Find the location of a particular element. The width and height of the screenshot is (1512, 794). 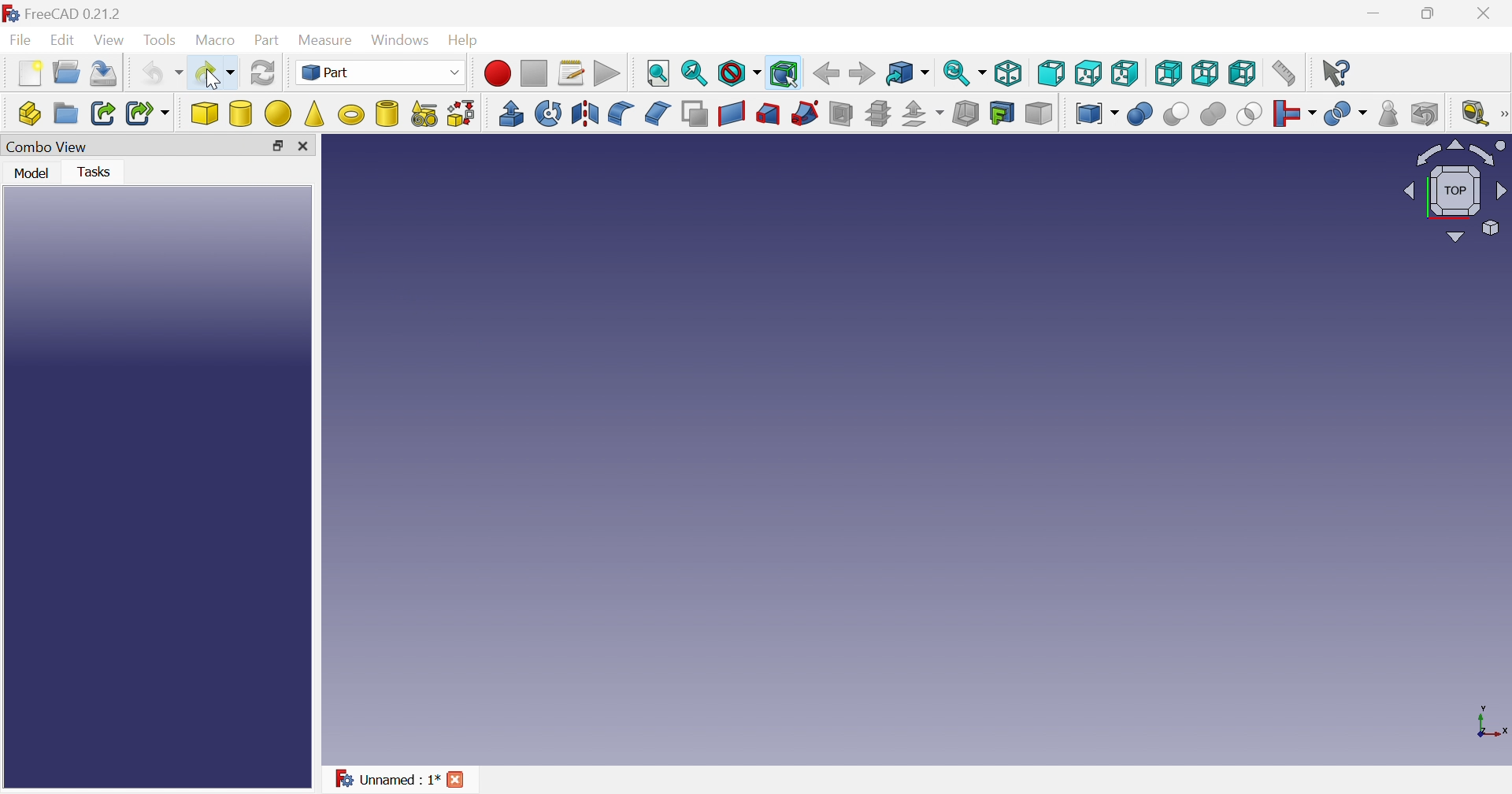

Tools is located at coordinates (161, 38).